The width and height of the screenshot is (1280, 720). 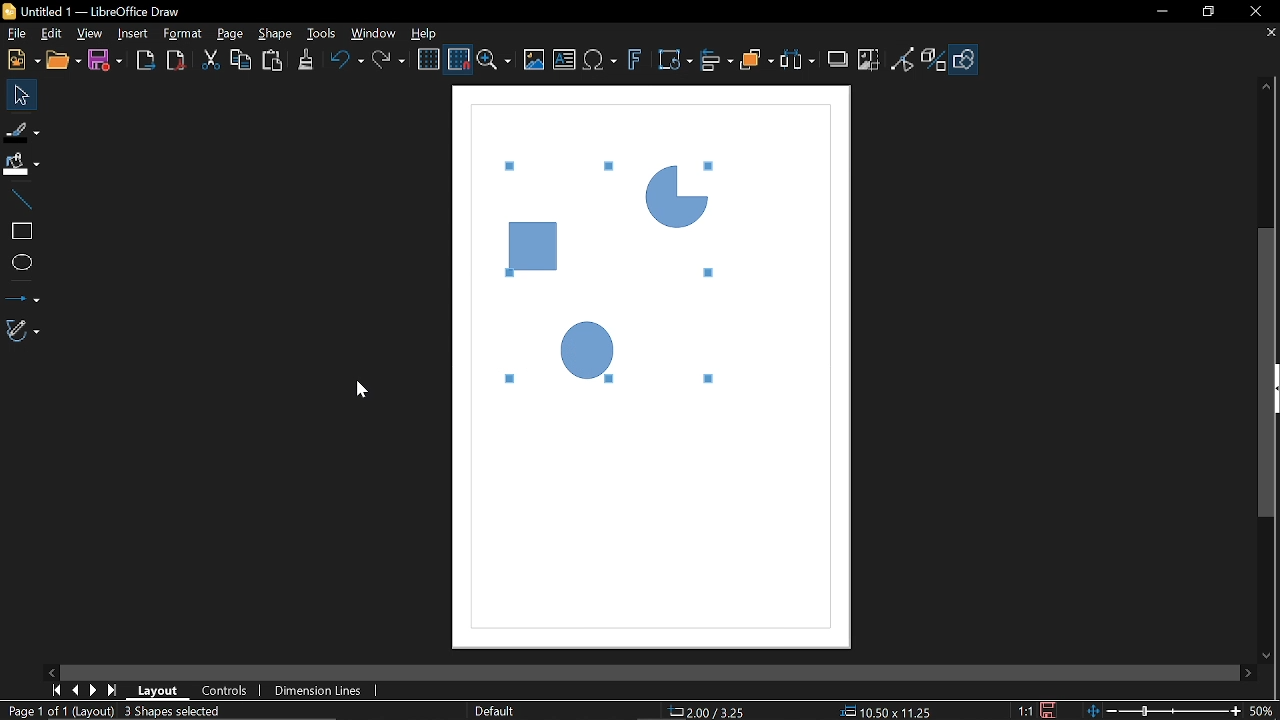 What do you see at coordinates (1264, 710) in the screenshot?
I see `Current zoom` at bounding box center [1264, 710].